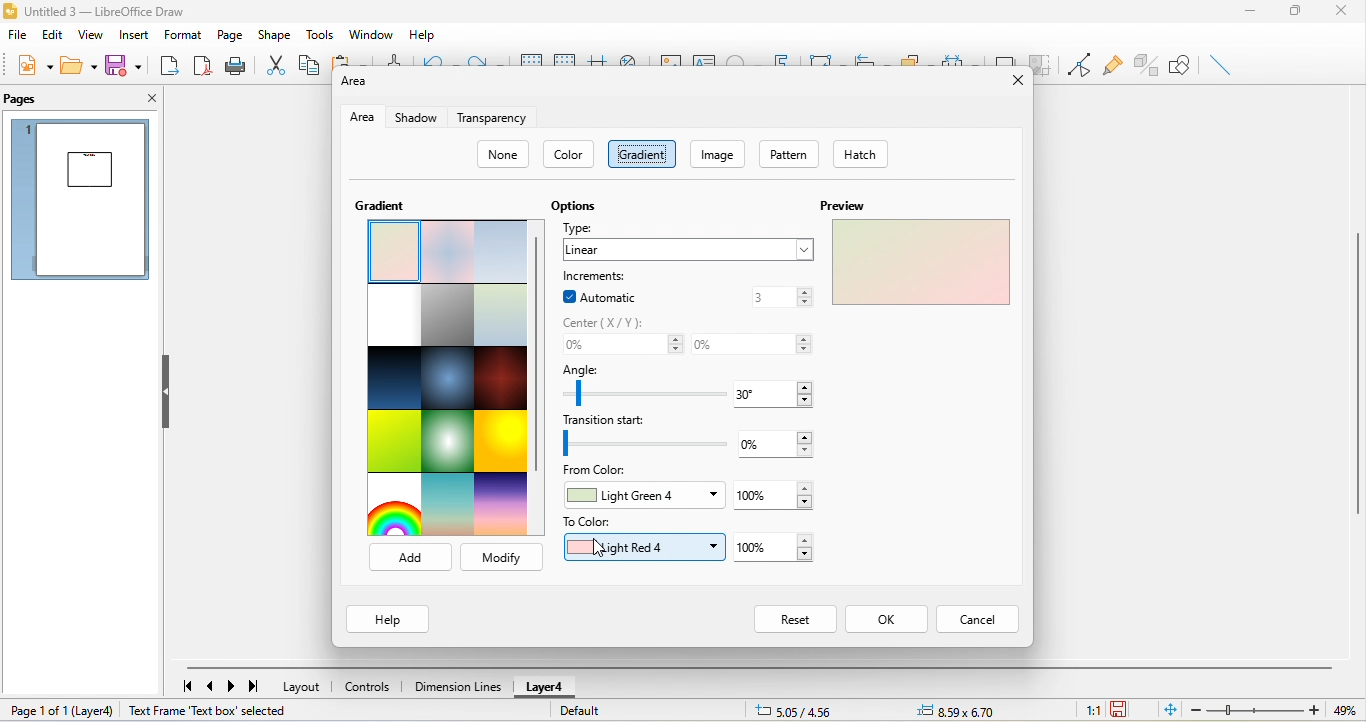  I want to click on image, so click(719, 153).